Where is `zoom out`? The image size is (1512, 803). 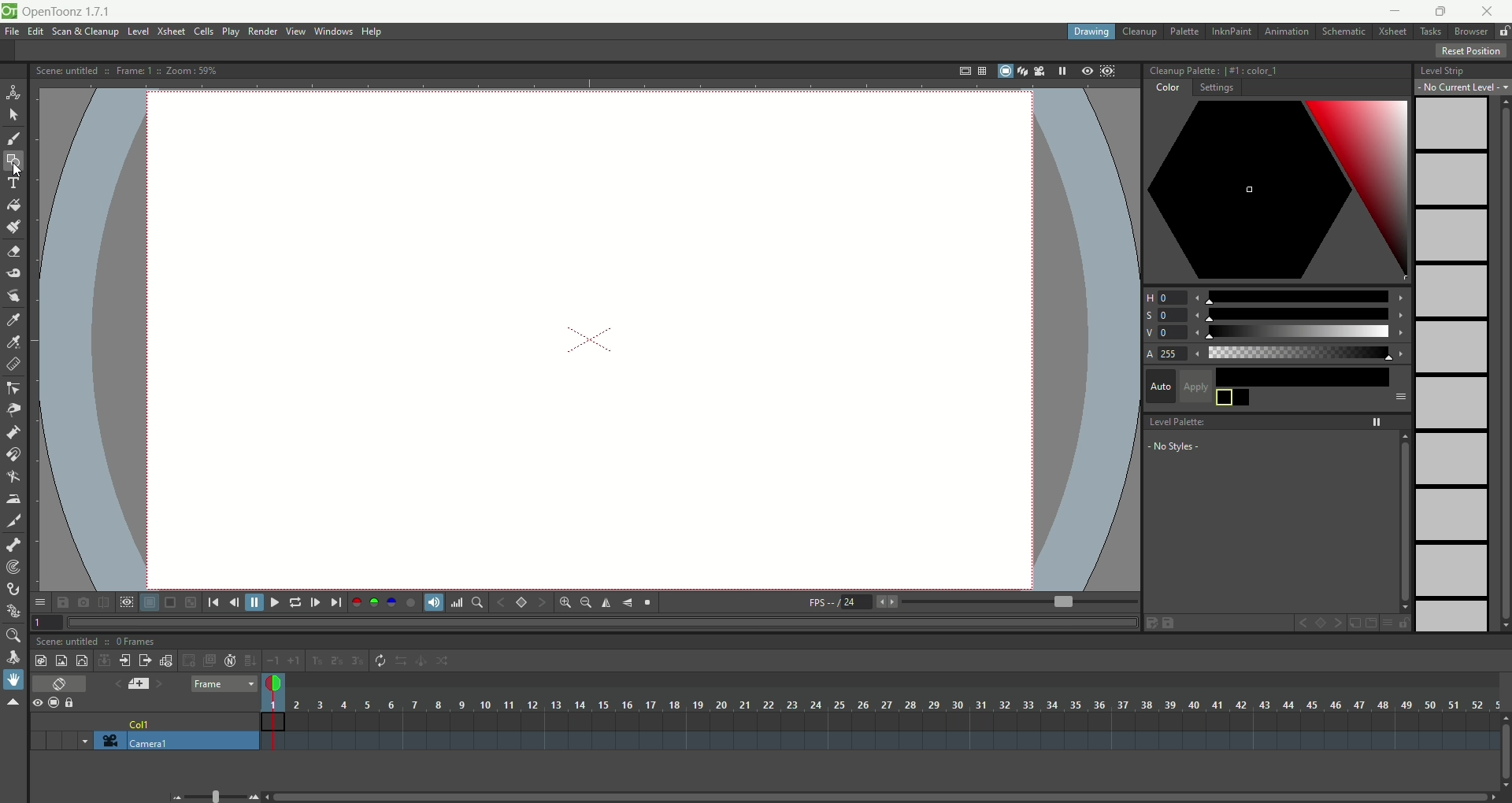 zoom out is located at coordinates (178, 797).